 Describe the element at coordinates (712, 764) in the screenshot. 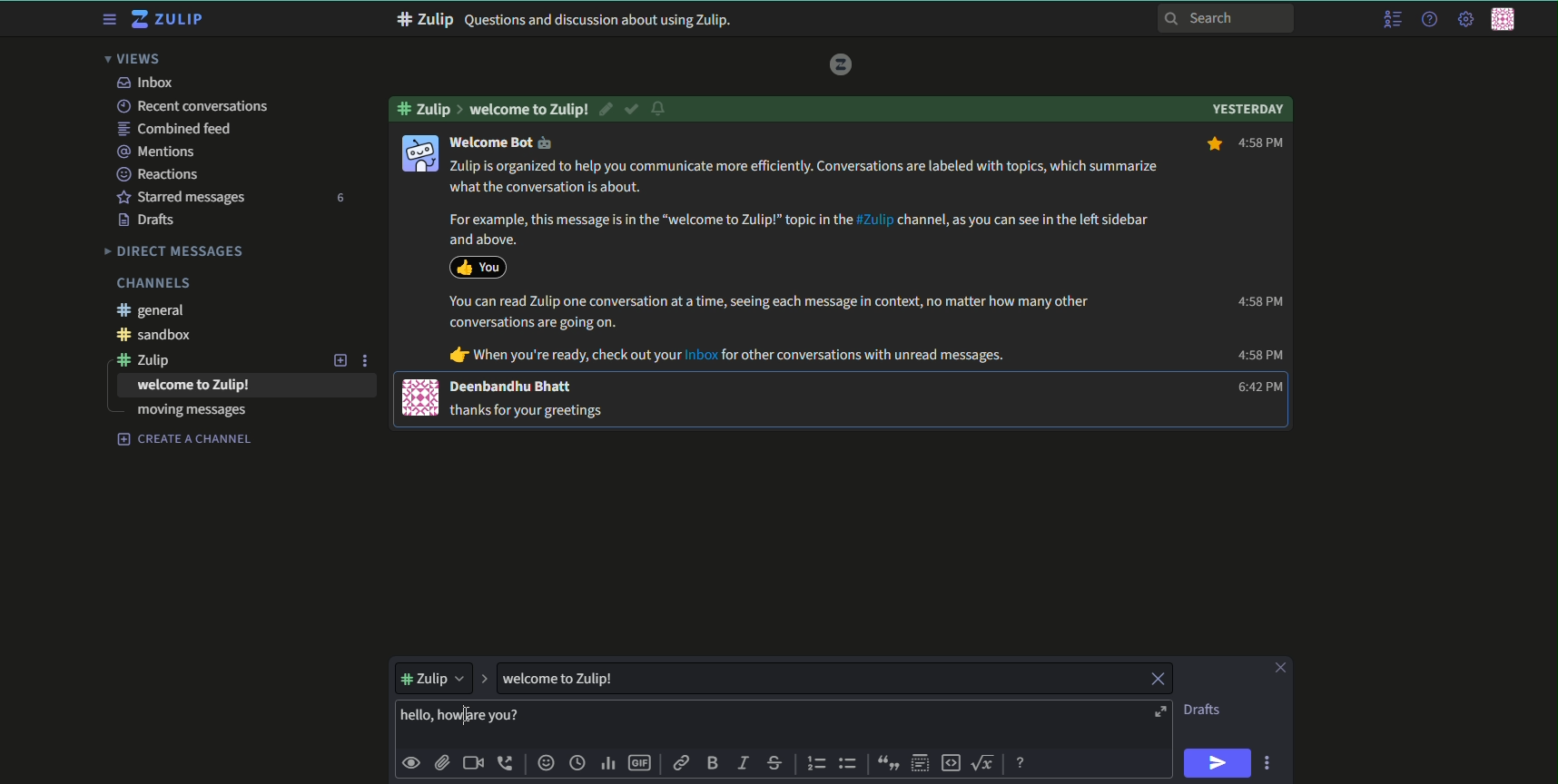

I see `bold` at that location.